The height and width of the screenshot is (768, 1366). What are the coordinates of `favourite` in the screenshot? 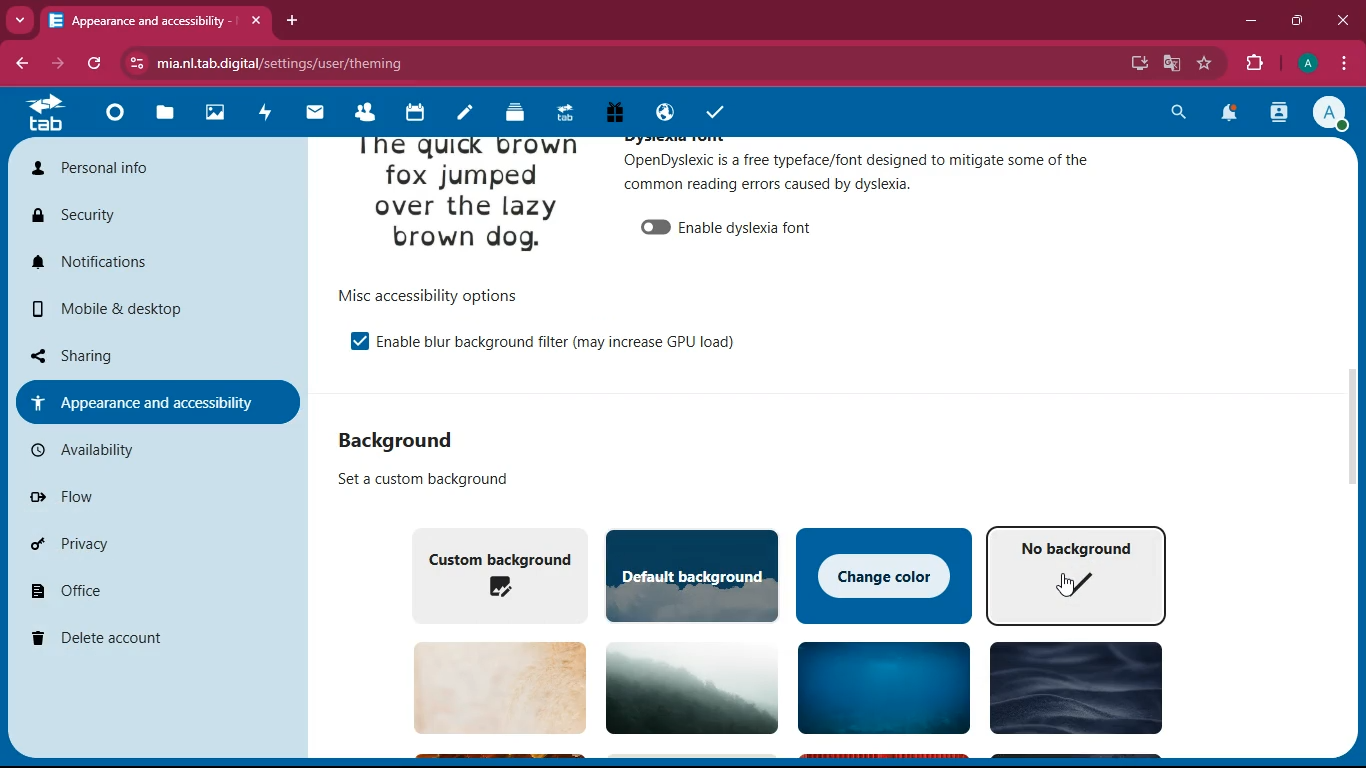 It's located at (1209, 63).